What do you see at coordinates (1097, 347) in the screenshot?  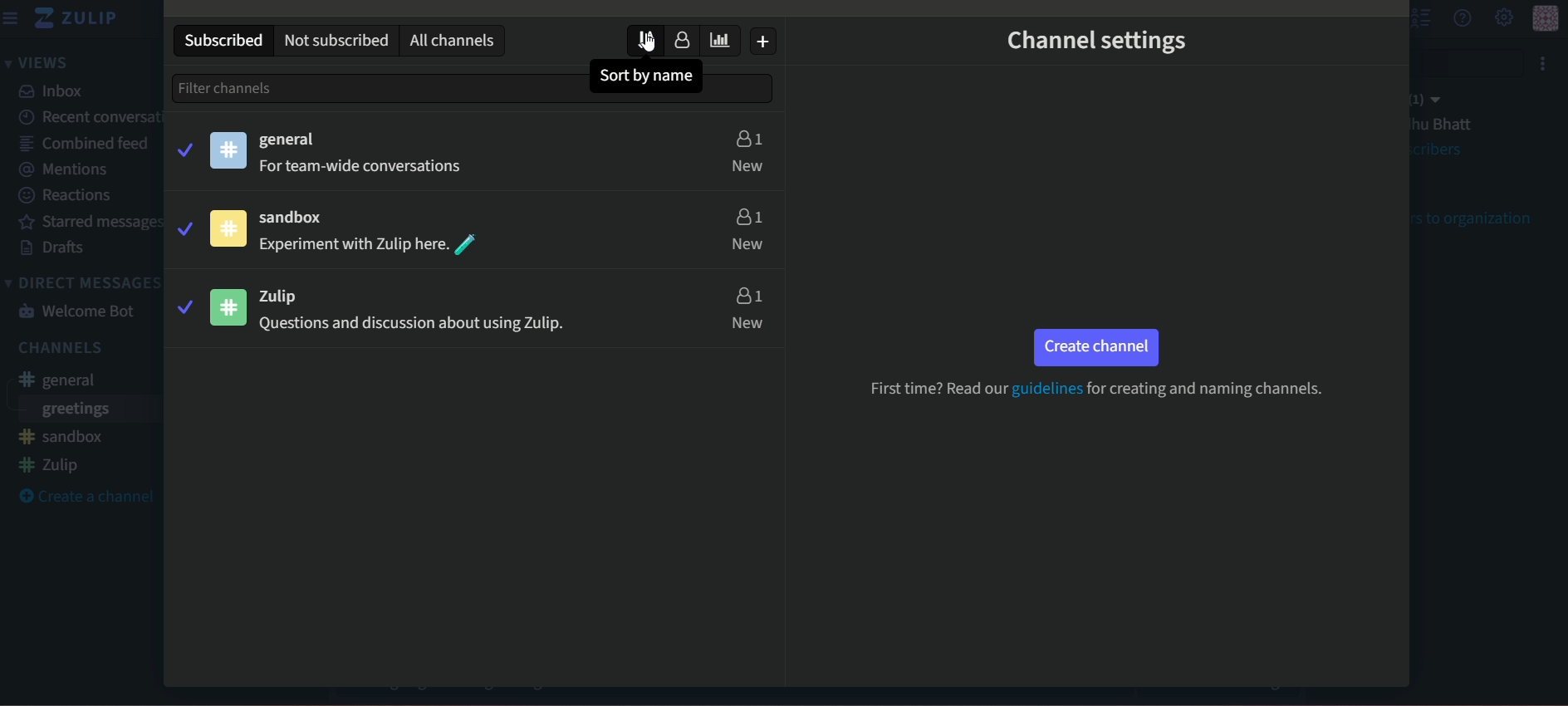 I see `button` at bounding box center [1097, 347].